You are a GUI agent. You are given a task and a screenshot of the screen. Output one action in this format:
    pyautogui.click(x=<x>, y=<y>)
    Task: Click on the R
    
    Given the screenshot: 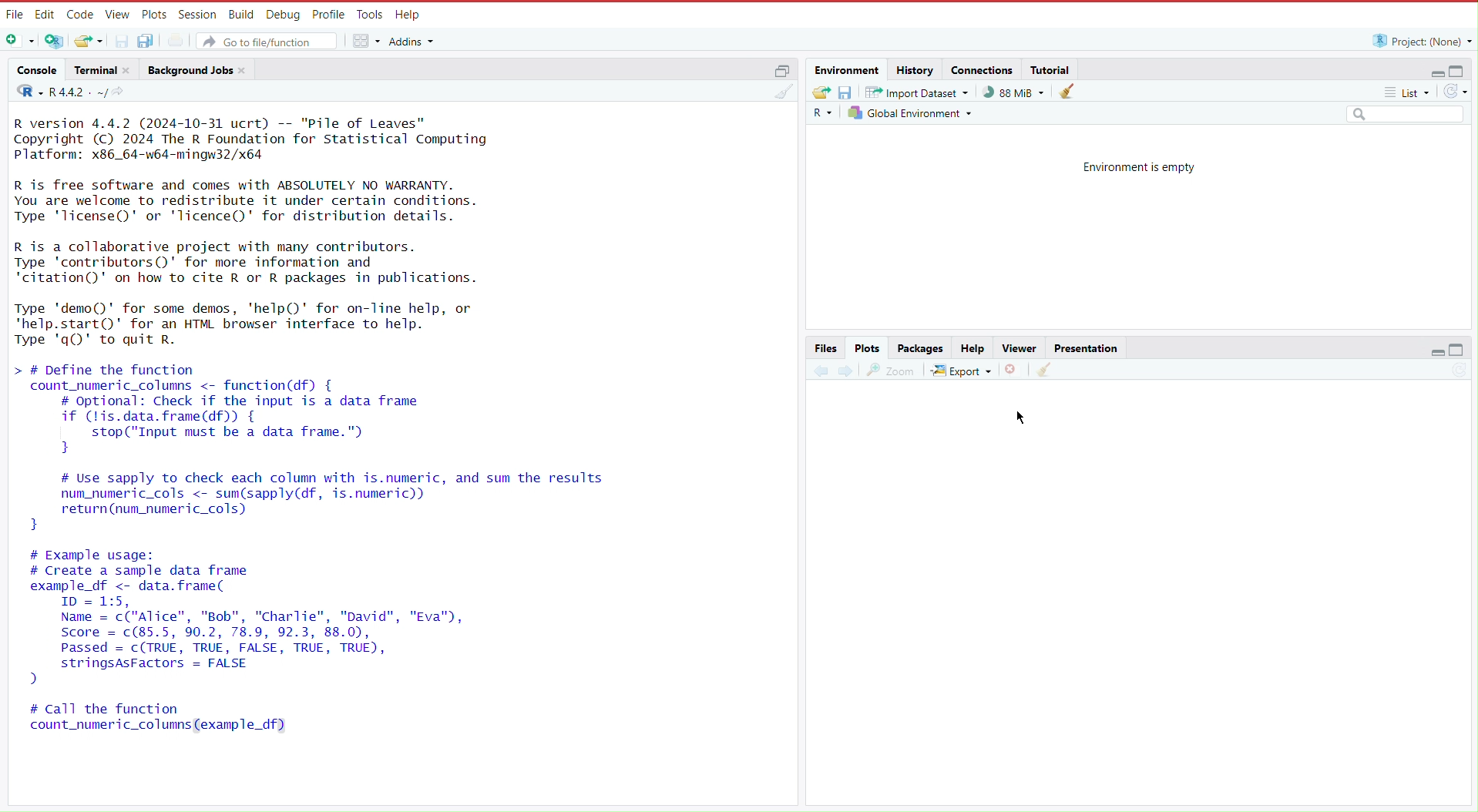 What is the action you would take?
    pyautogui.click(x=825, y=113)
    